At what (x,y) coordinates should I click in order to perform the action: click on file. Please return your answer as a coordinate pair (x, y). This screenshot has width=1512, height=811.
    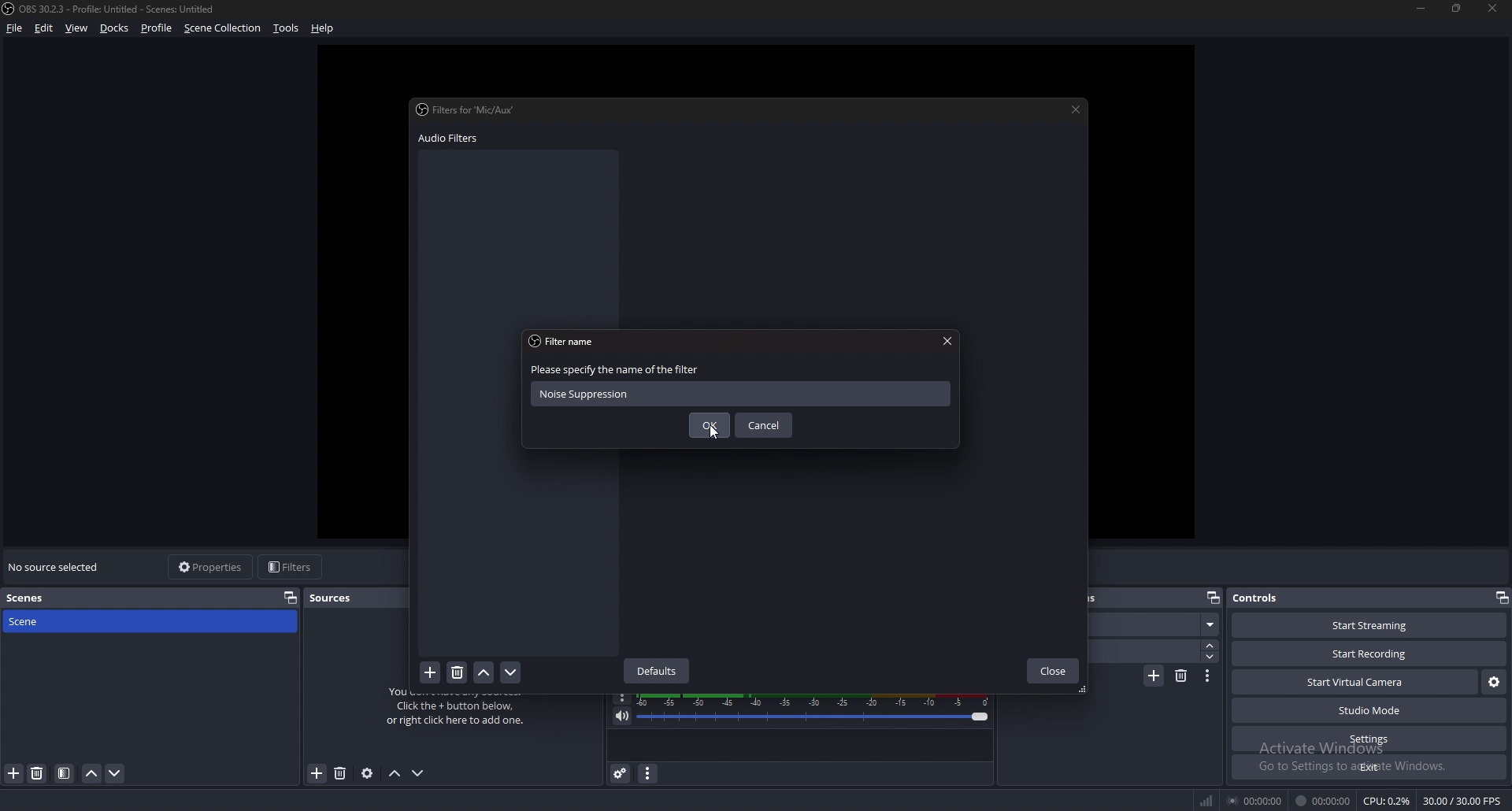
    Looking at the image, I should click on (14, 28).